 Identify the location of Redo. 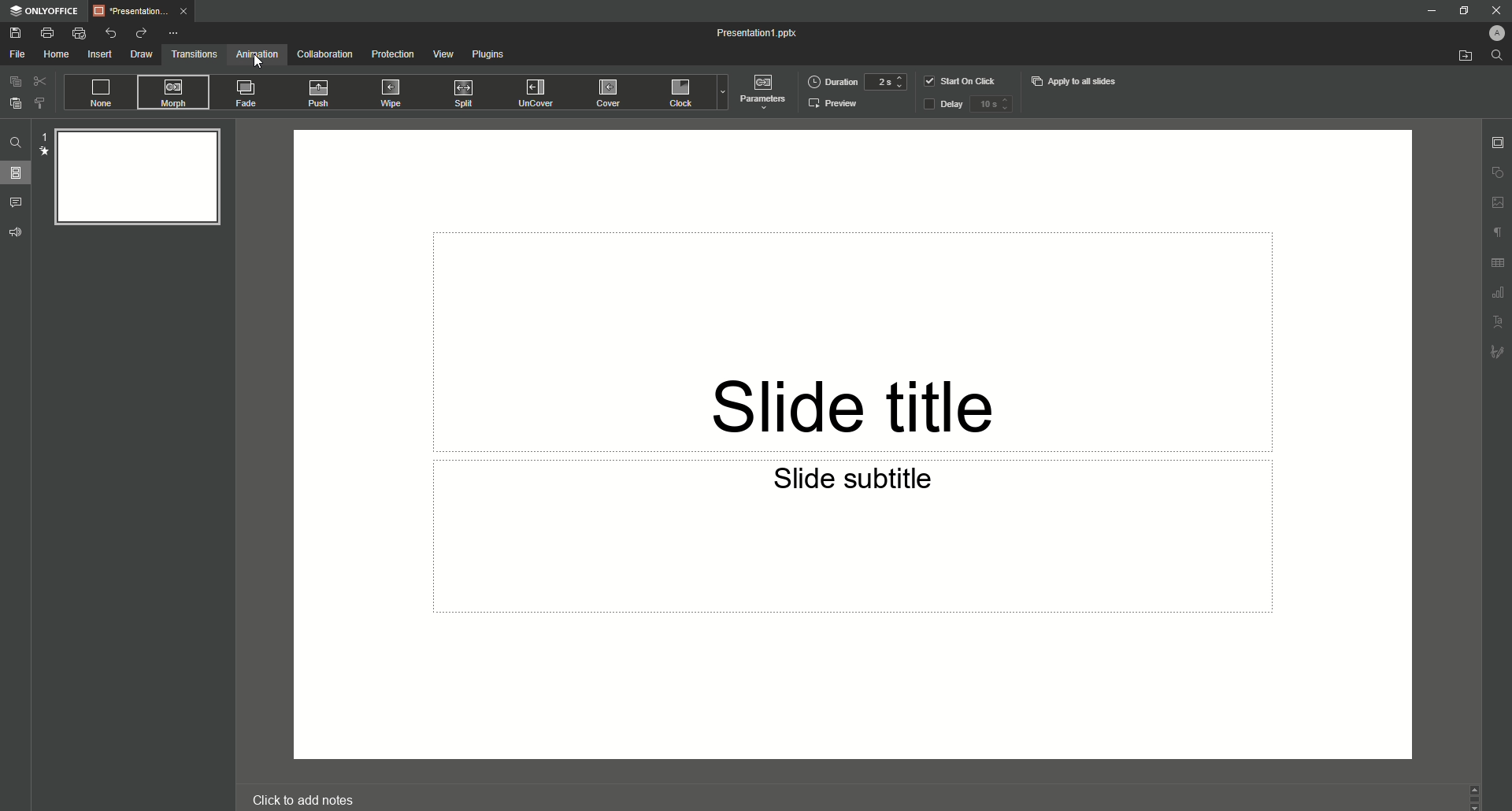
(142, 34).